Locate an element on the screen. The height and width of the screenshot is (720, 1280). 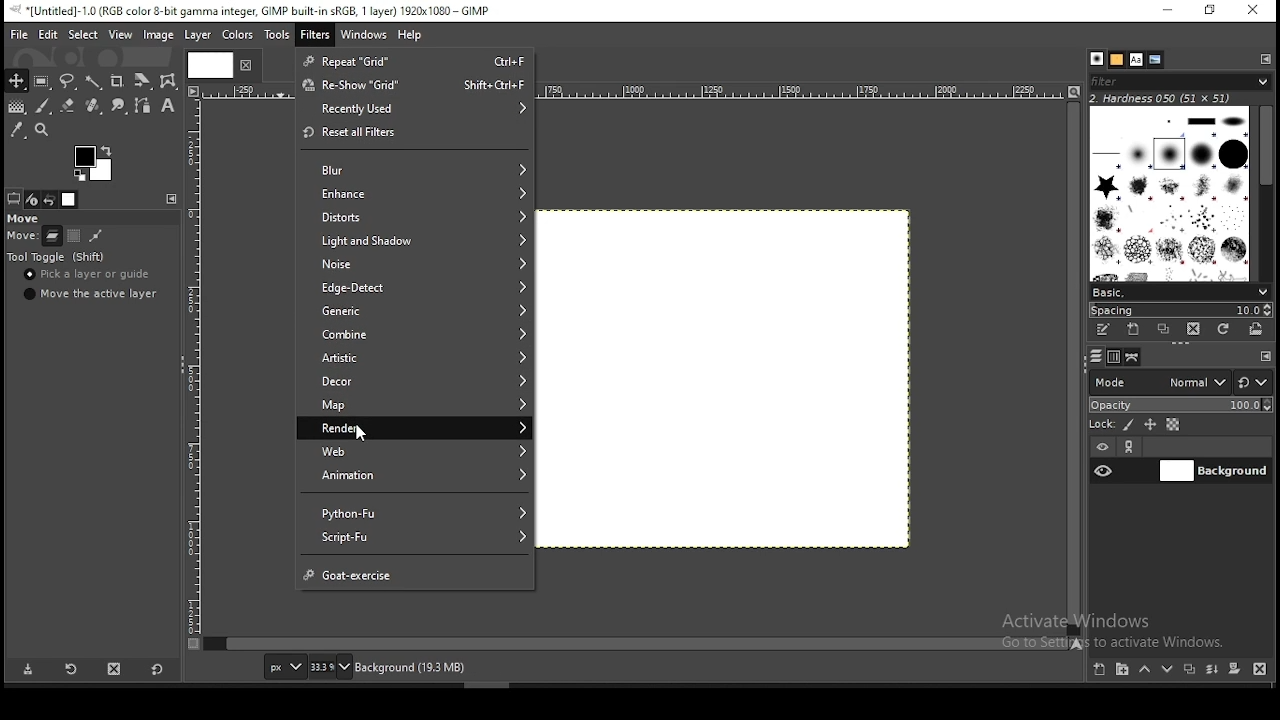
brush tool is located at coordinates (44, 106).